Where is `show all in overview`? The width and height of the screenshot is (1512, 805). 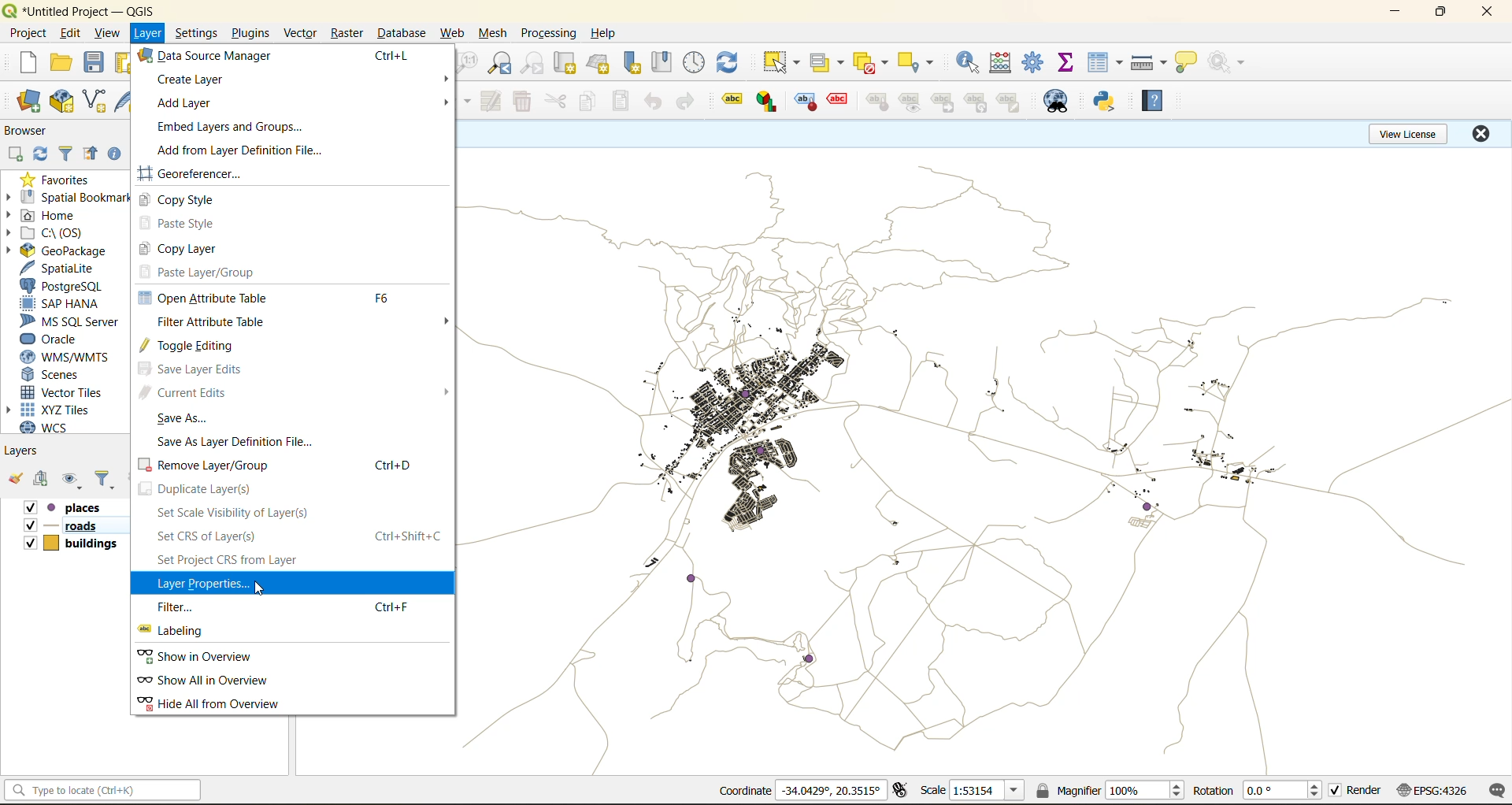 show all in overview is located at coordinates (213, 681).